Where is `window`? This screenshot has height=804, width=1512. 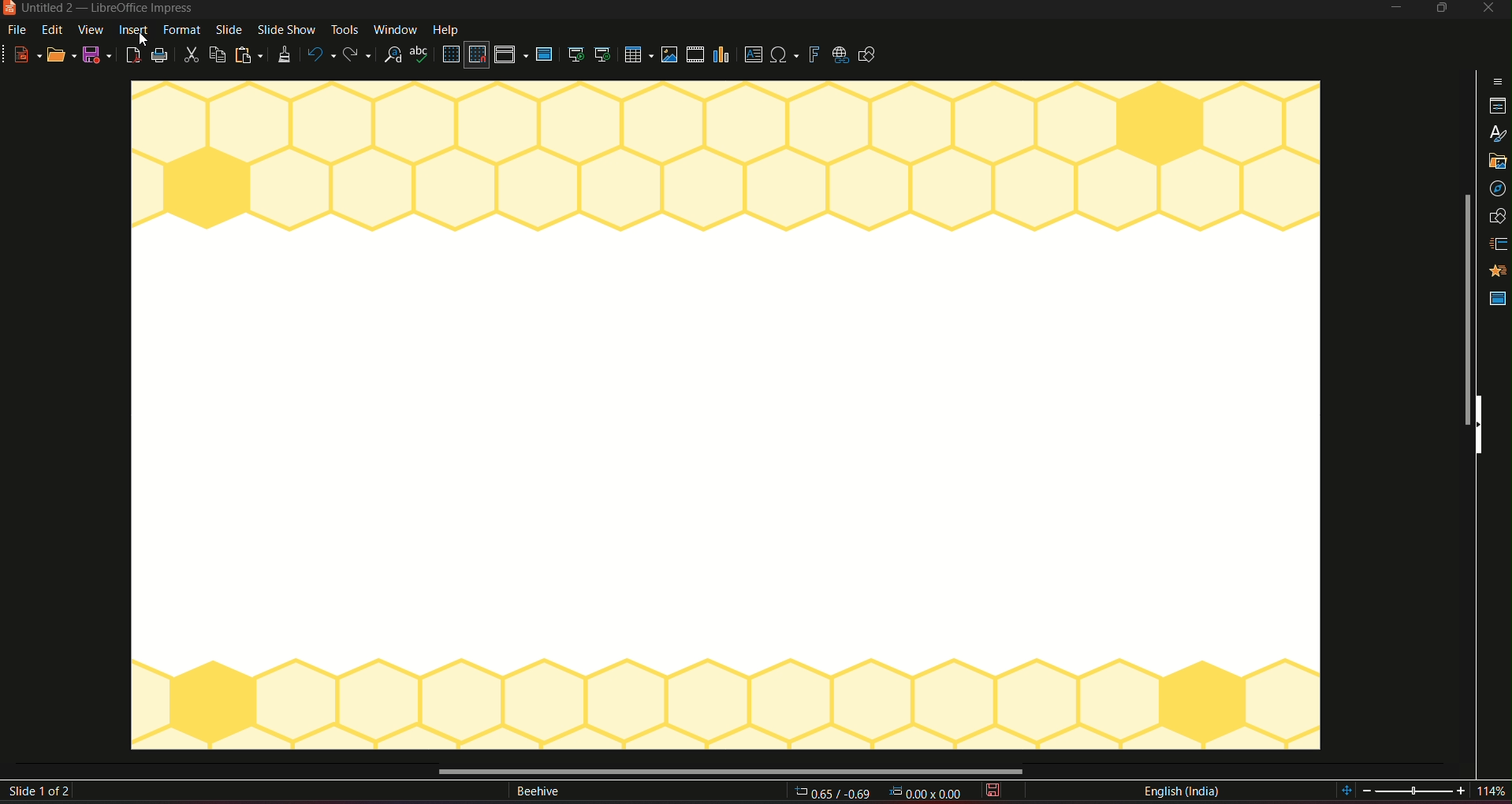
window is located at coordinates (395, 29).